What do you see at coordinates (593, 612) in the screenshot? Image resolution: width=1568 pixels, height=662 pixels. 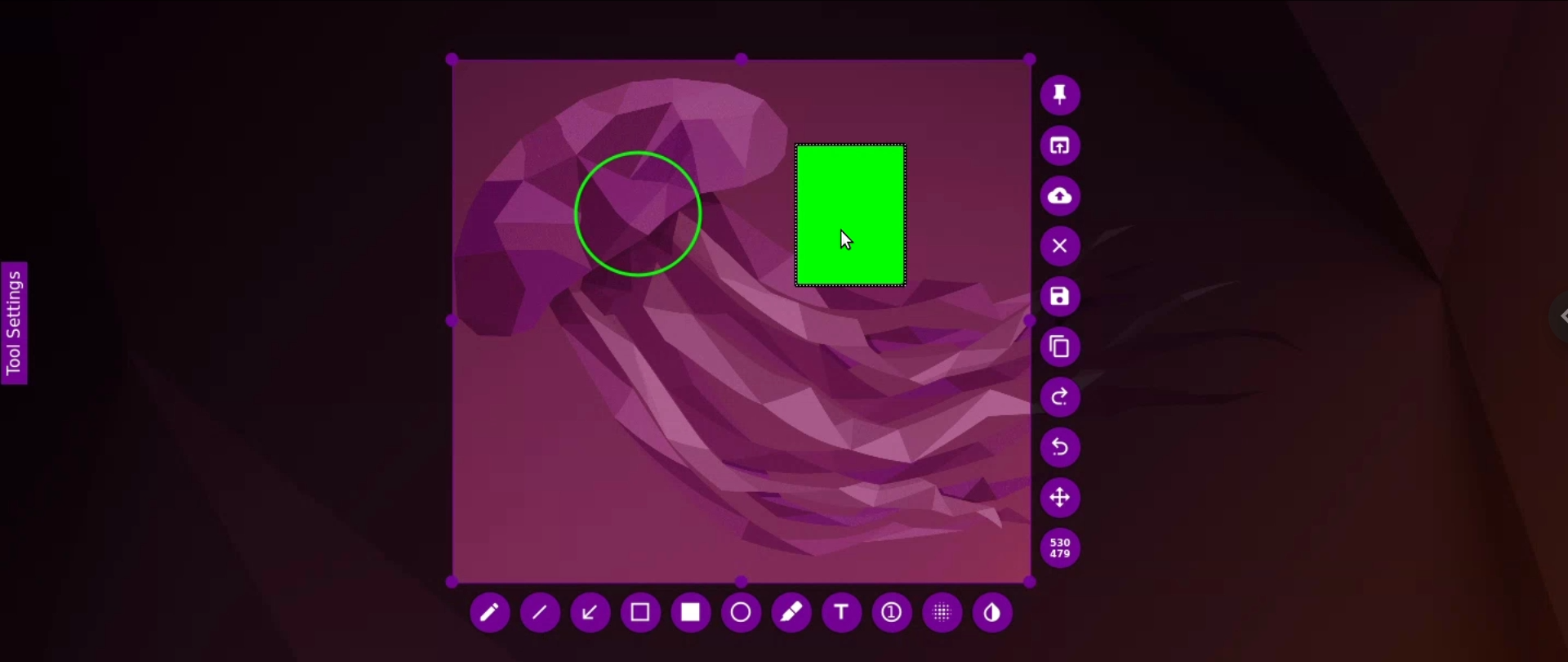 I see `arrow` at bounding box center [593, 612].